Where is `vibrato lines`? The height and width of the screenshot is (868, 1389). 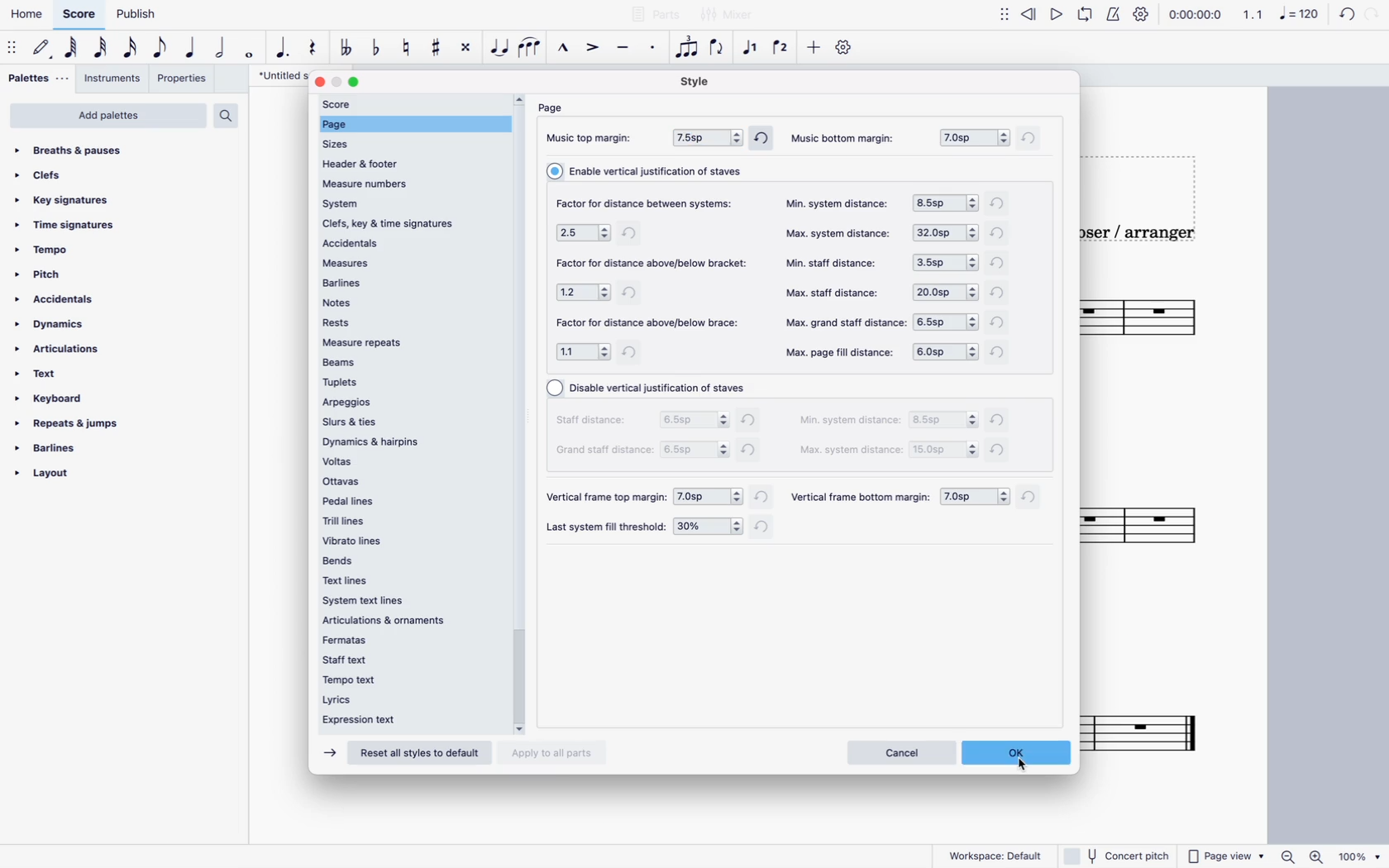
vibrato lines is located at coordinates (403, 540).